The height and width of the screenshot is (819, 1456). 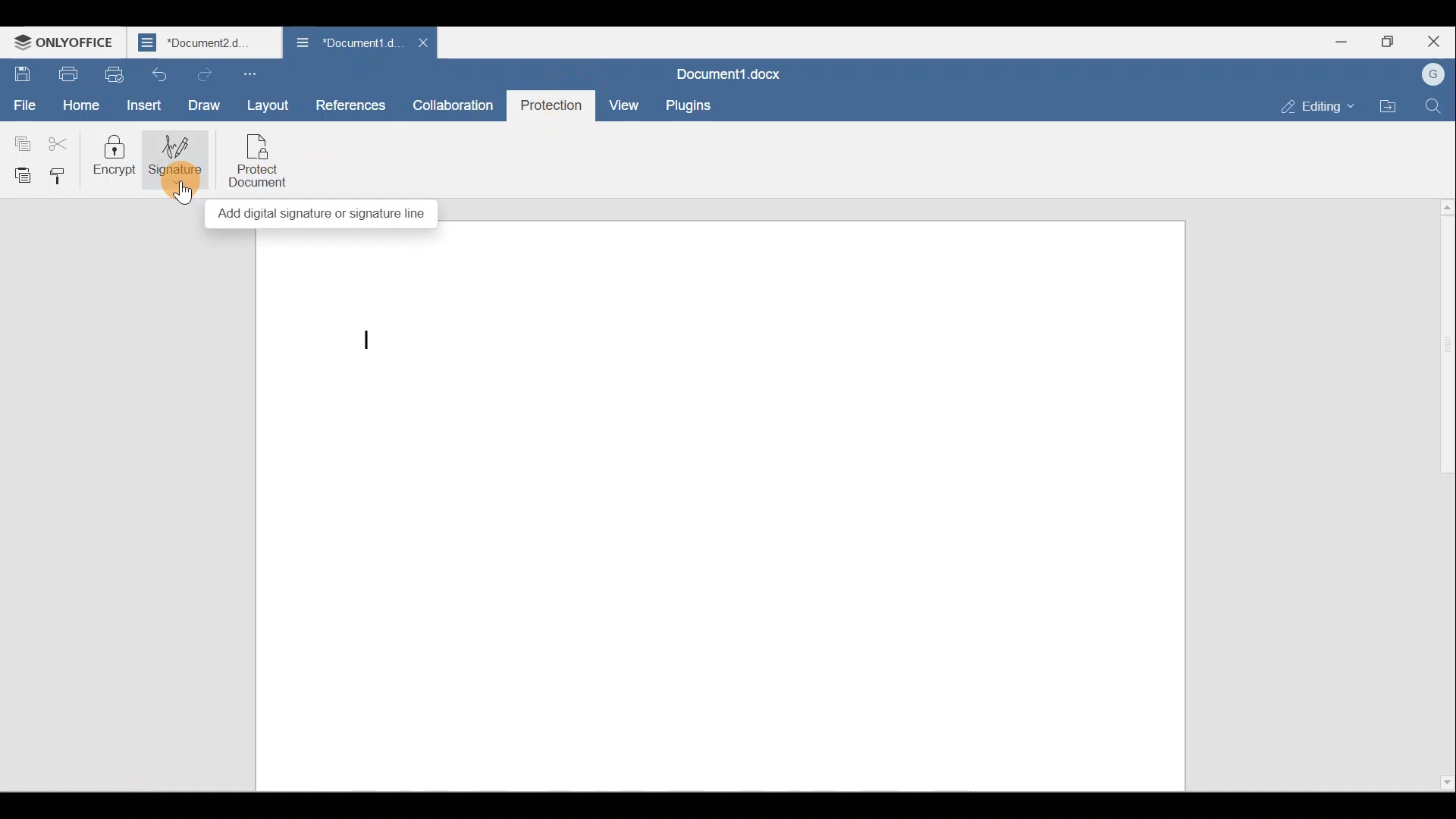 I want to click on Find, so click(x=1434, y=107).